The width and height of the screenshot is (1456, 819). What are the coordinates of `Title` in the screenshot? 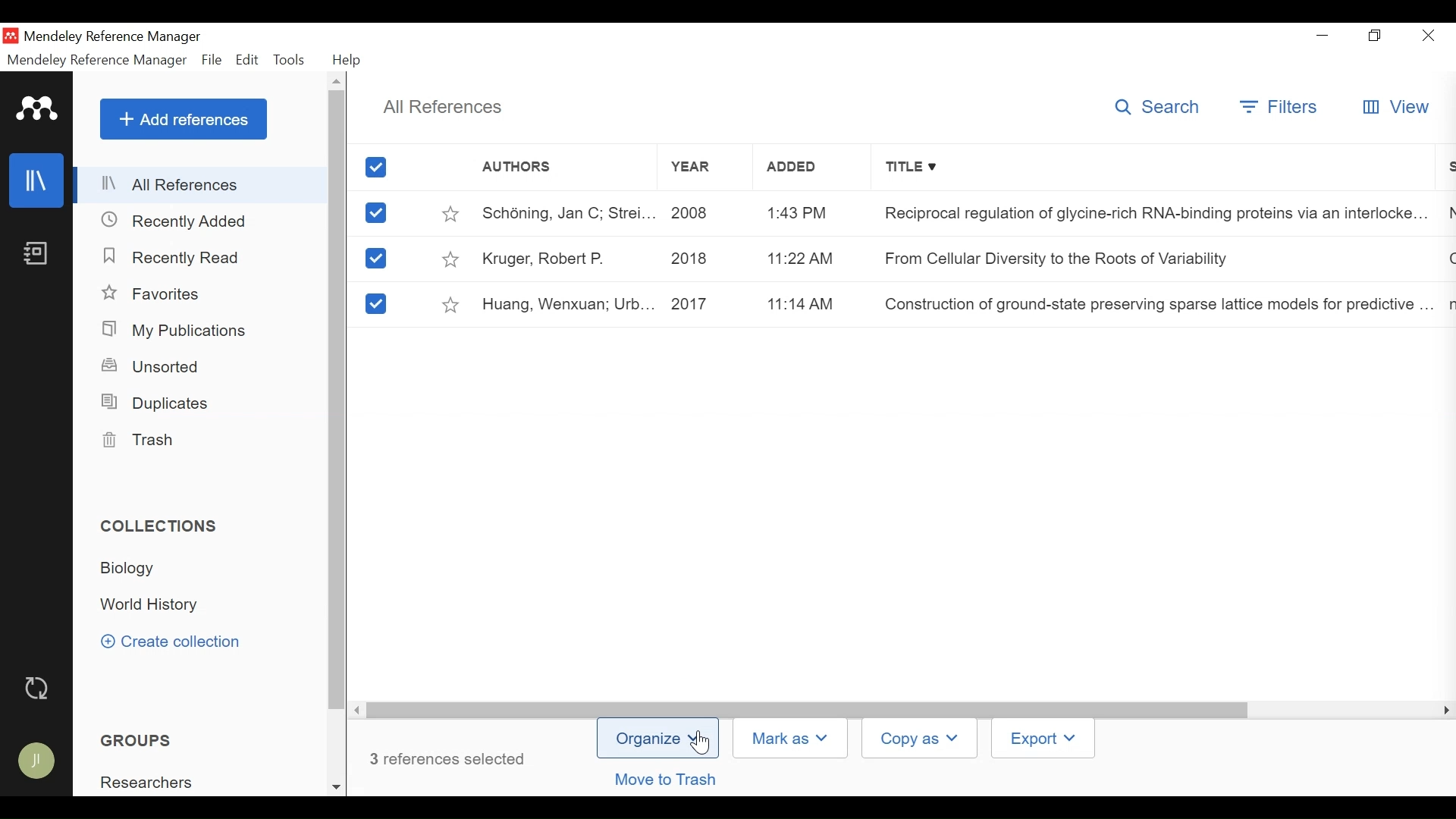 It's located at (1150, 170).